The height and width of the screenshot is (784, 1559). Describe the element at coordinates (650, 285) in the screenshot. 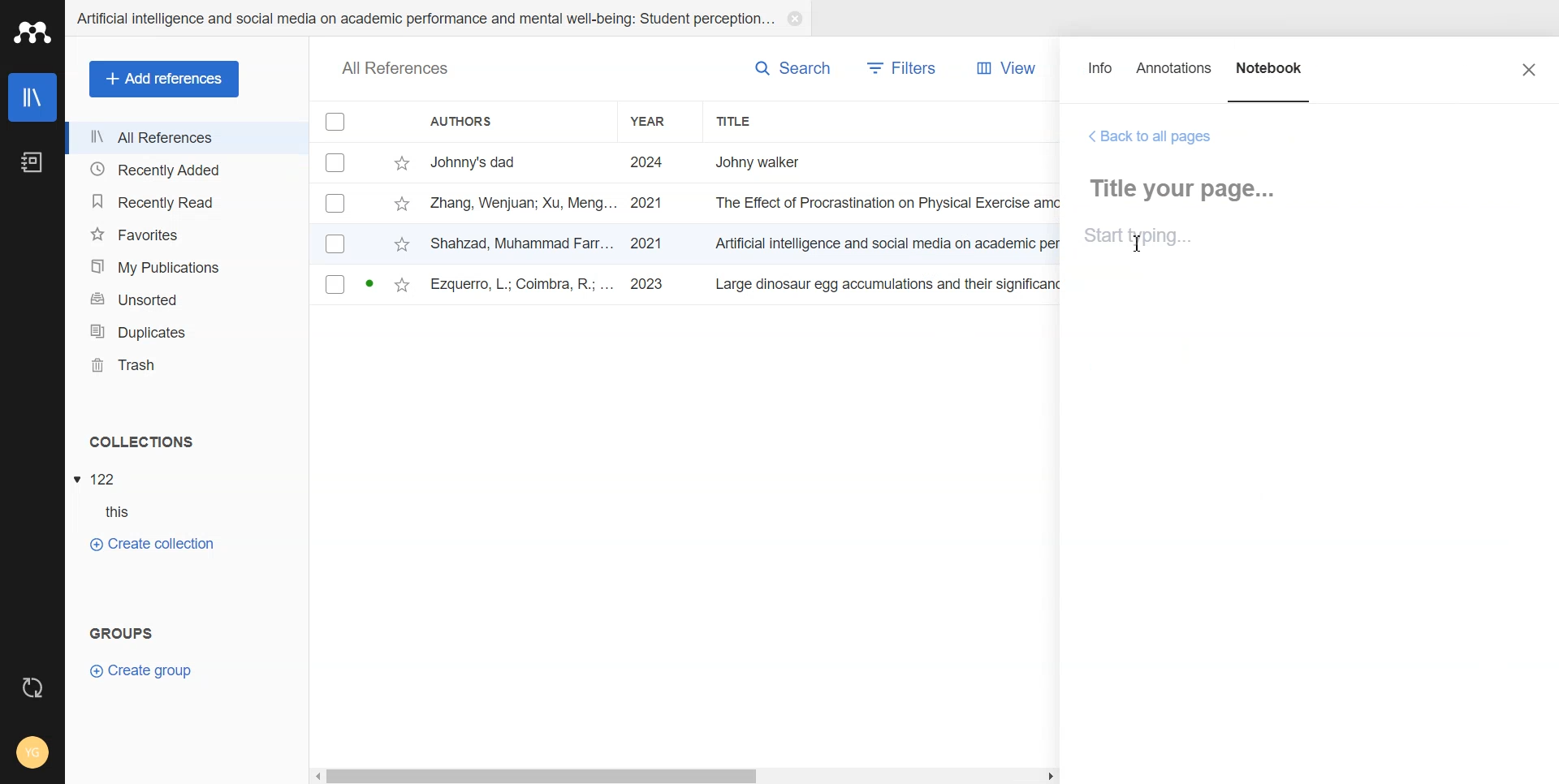

I see `2023` at that location.